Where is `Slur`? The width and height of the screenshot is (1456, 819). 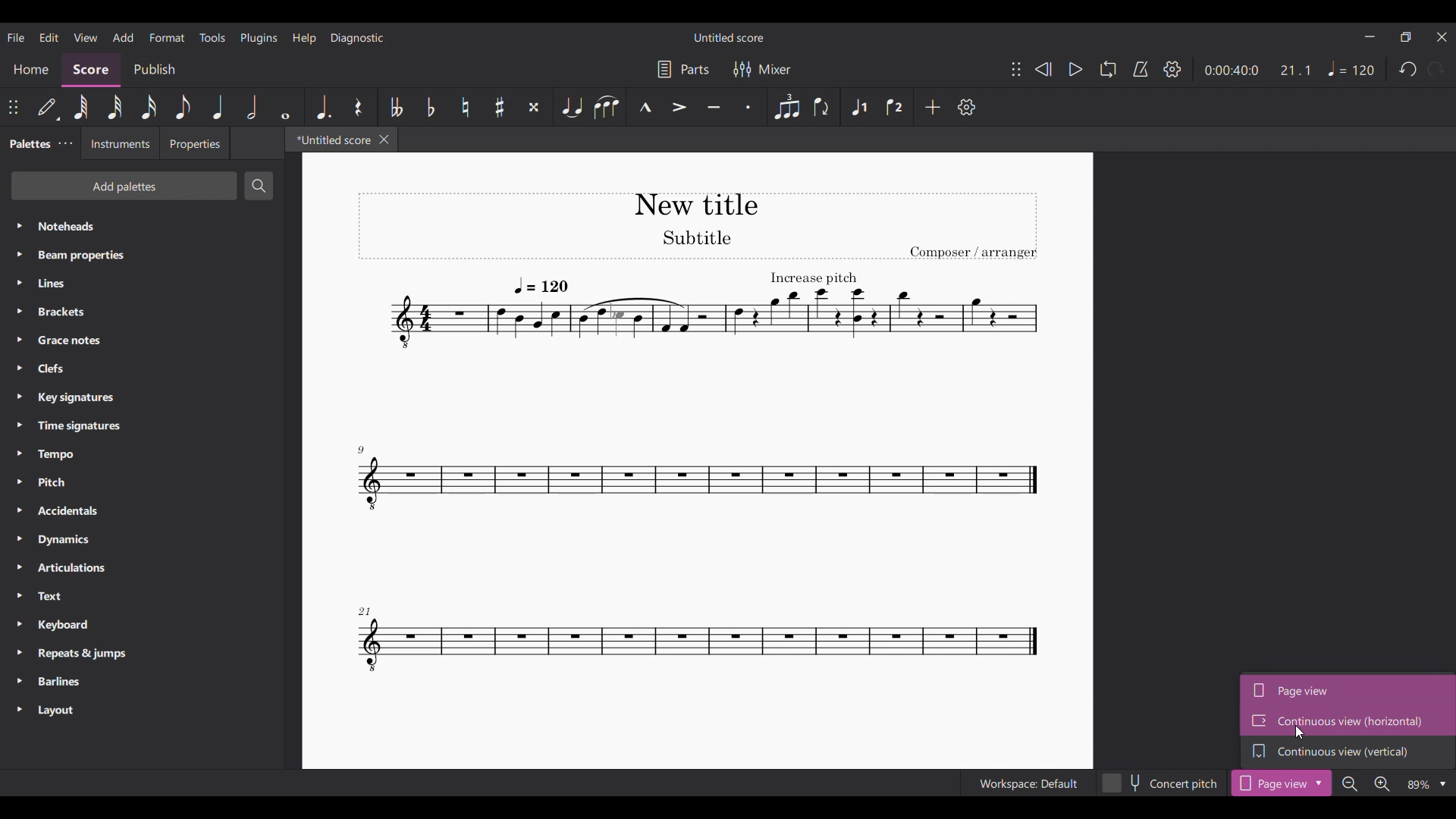
Slur is located at coordinates (607, 107).